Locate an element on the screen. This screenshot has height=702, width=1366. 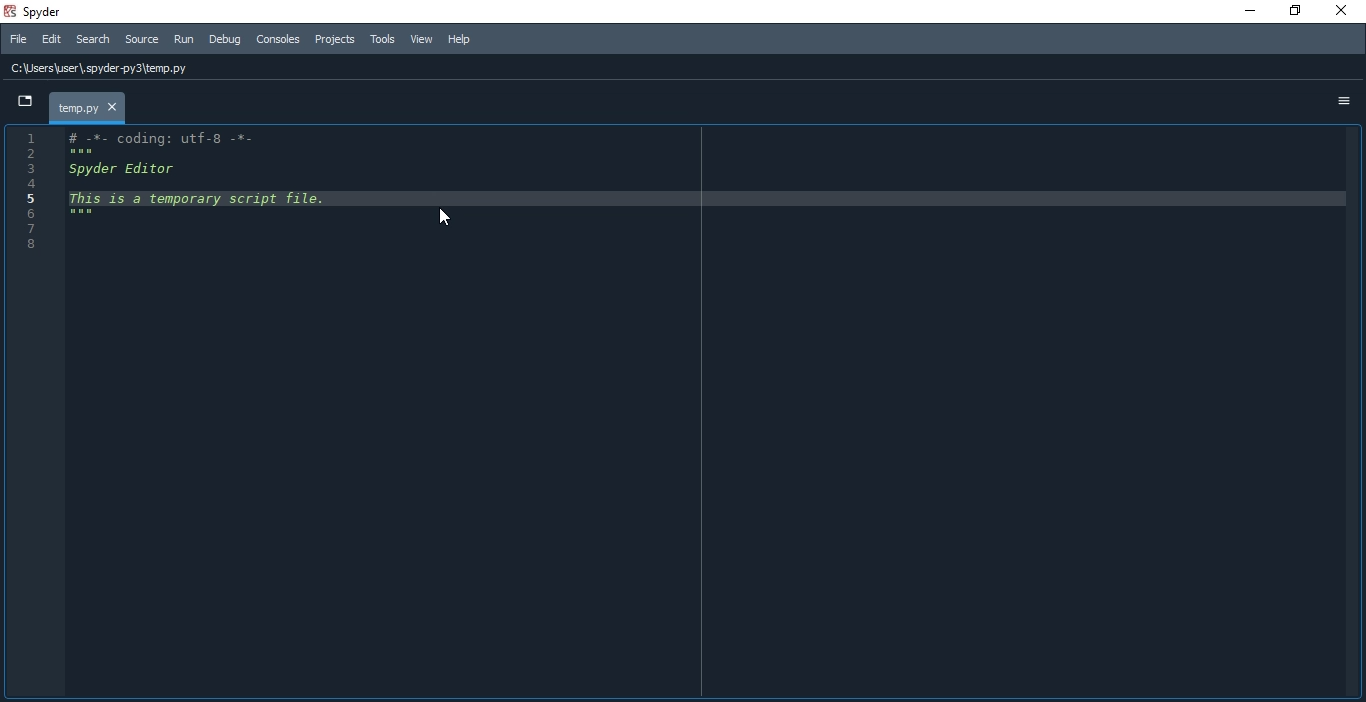
Consoles is located at coordinates (277, 39).